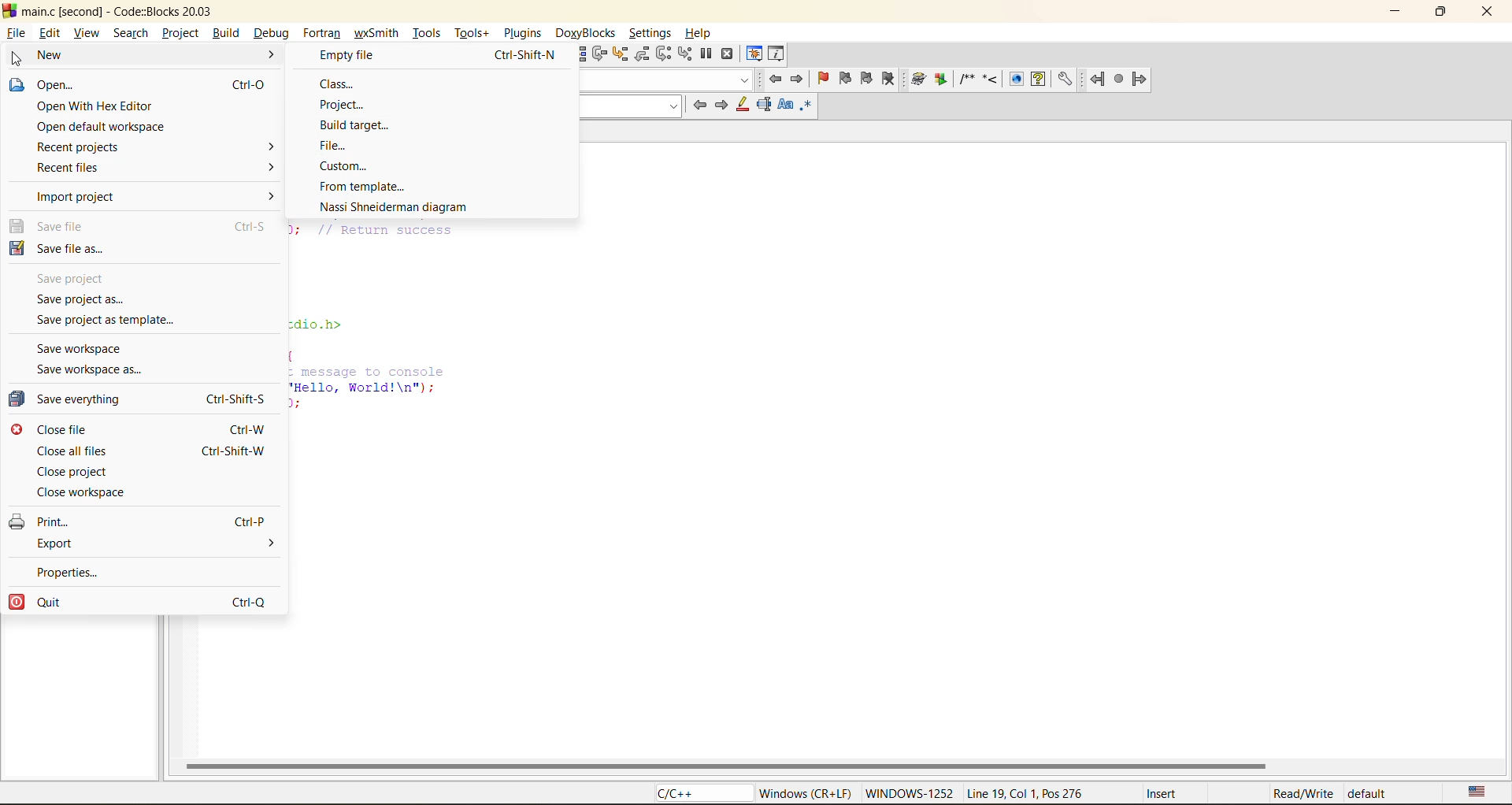  Describe the element at coordinates (669, 80) in the screenshot. I see `code completion compiler` at that location.